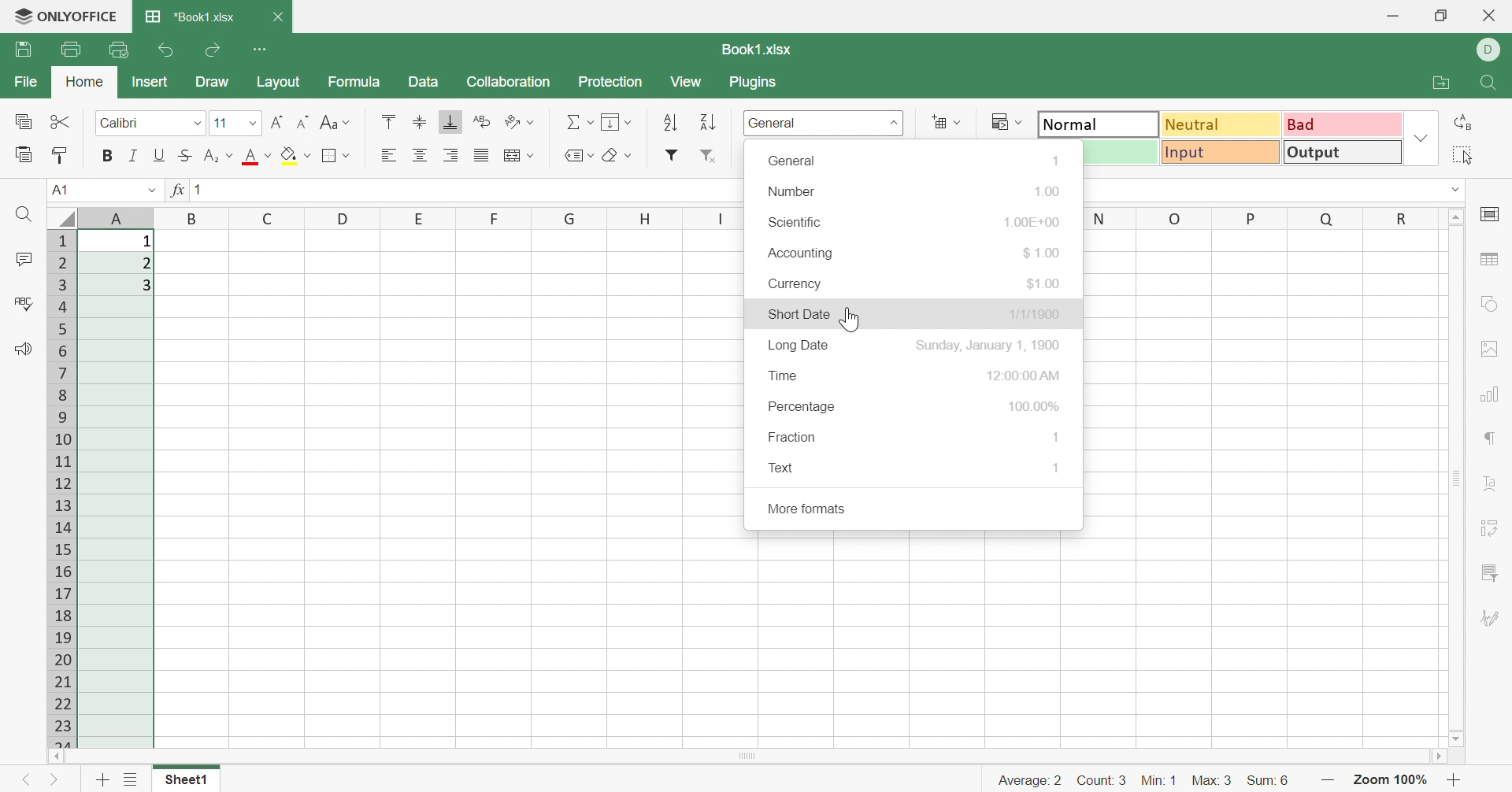 Image resolution: width=1512 pixels, height=792 pixels. What do you see at coordinates (1036, 315) in the screenshot?
I see `1/1/1900` at bounding box center [1036, 315].